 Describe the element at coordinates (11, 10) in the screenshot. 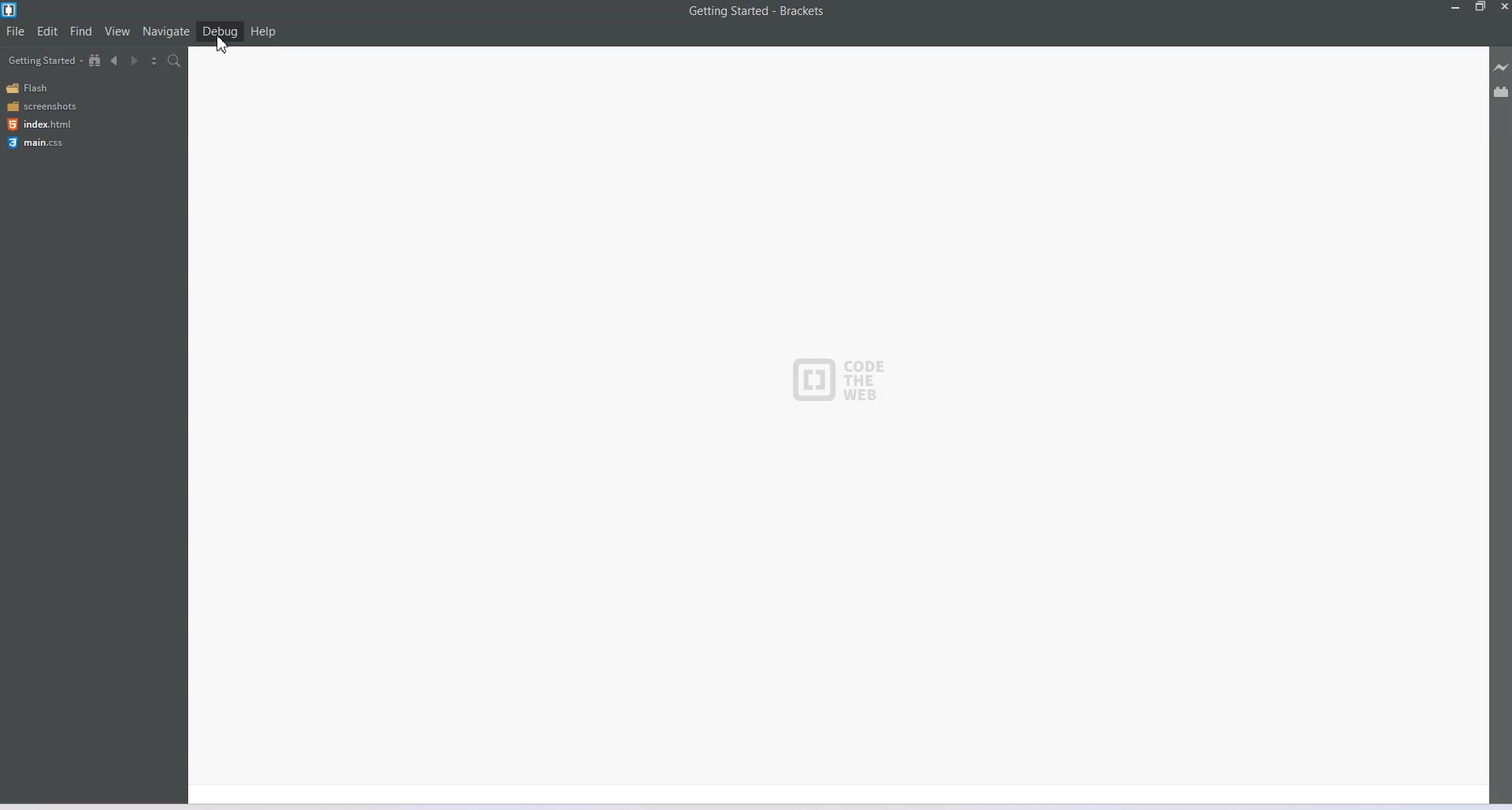

I see `Logo` at that location.